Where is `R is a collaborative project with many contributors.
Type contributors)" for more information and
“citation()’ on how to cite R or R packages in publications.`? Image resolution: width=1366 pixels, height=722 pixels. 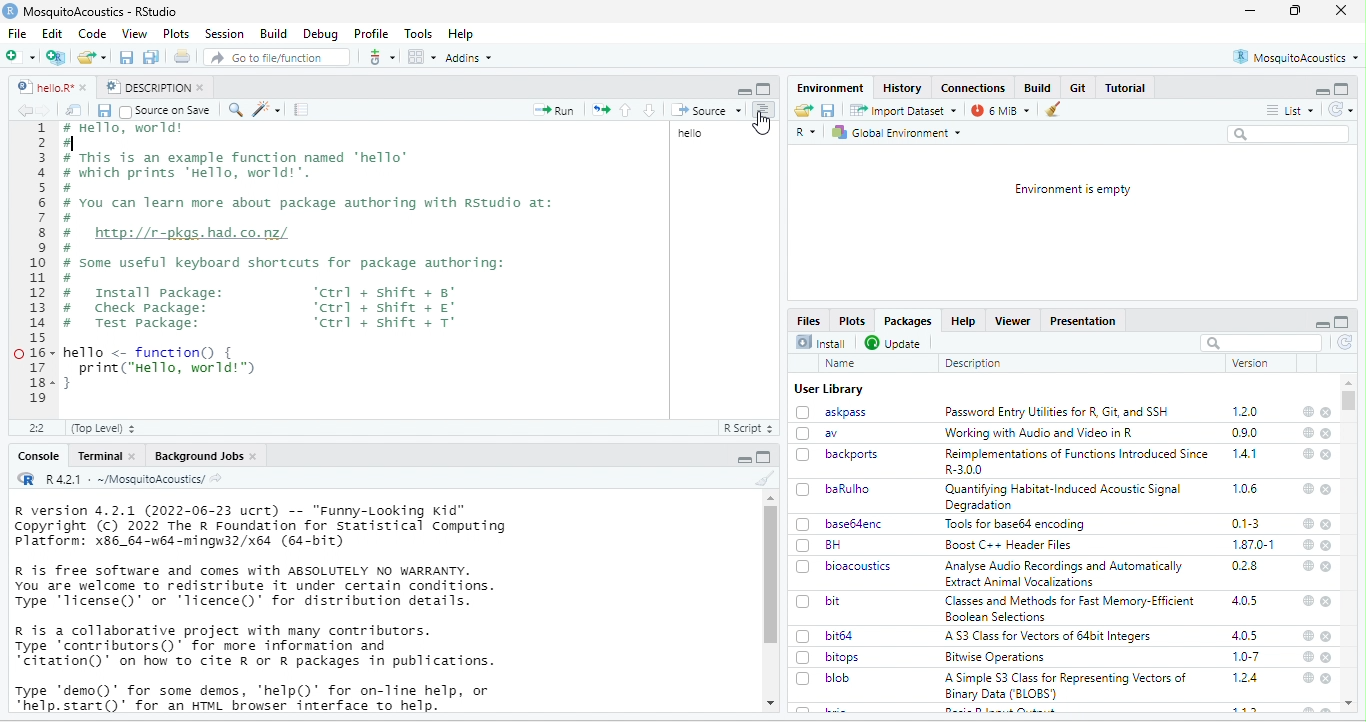
R is a collaborative project with many contributors.
Type contributors)" for more information and
“citation()’ on how to cite R or R packages in publications. is located at coordinates (255, 648).